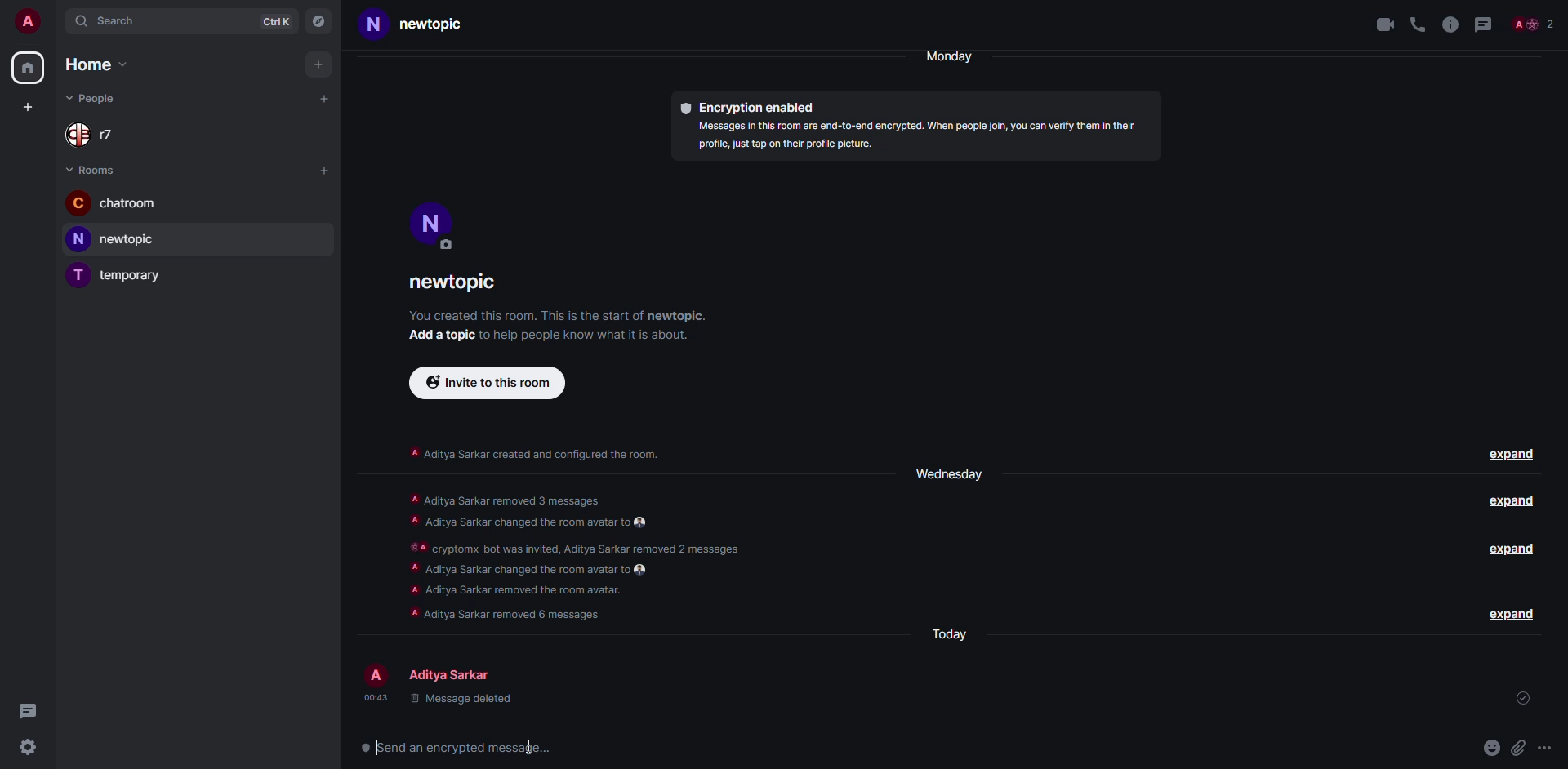 Image resolution: width=1568 pixels, height=769 pixels. What do you see at coordinates (580, 334) in the screenshot?
I see `info` at bounding box center [580, 334].